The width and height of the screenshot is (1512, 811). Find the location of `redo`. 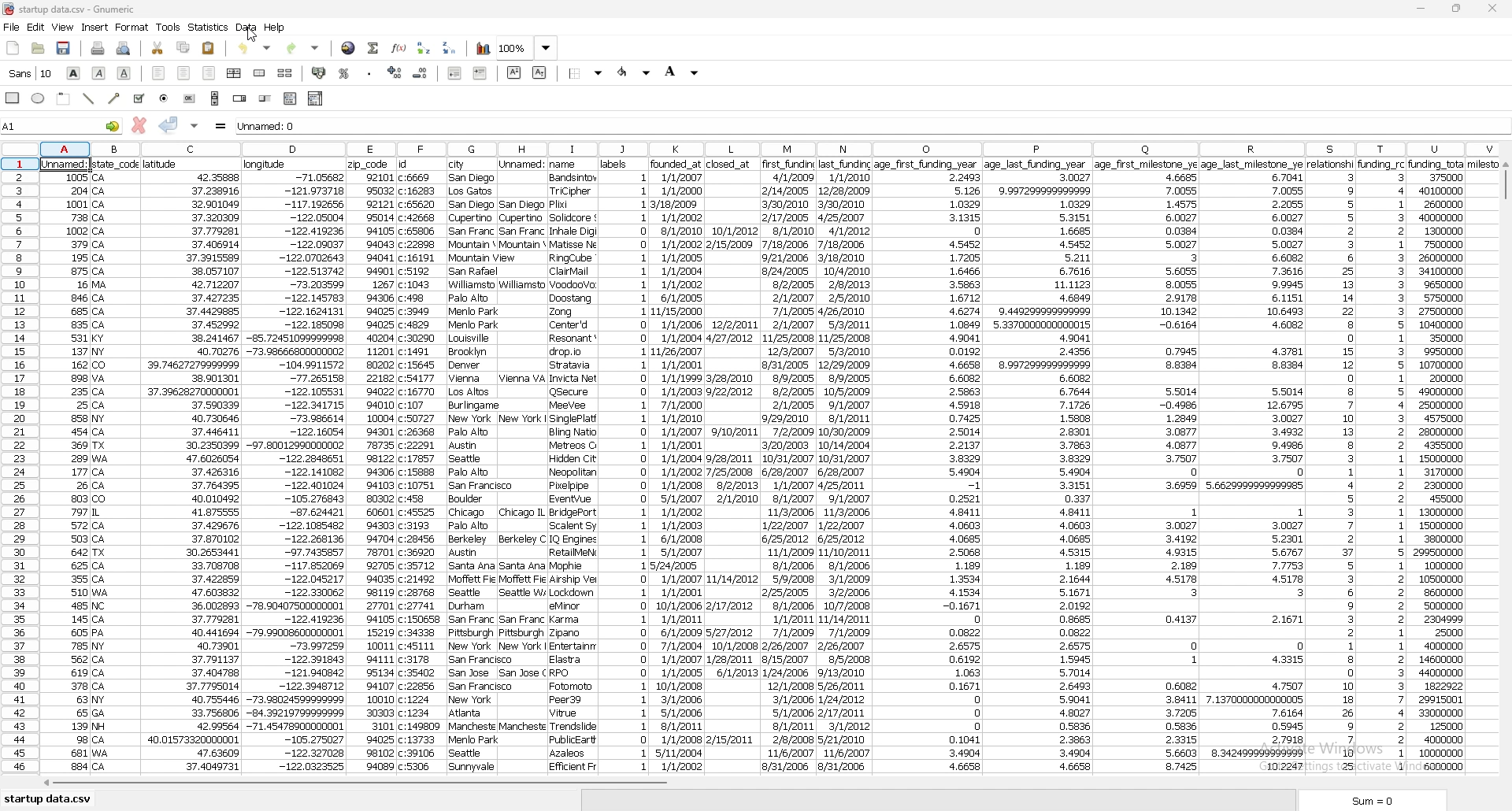

redo is located at coordinates (303, 47).